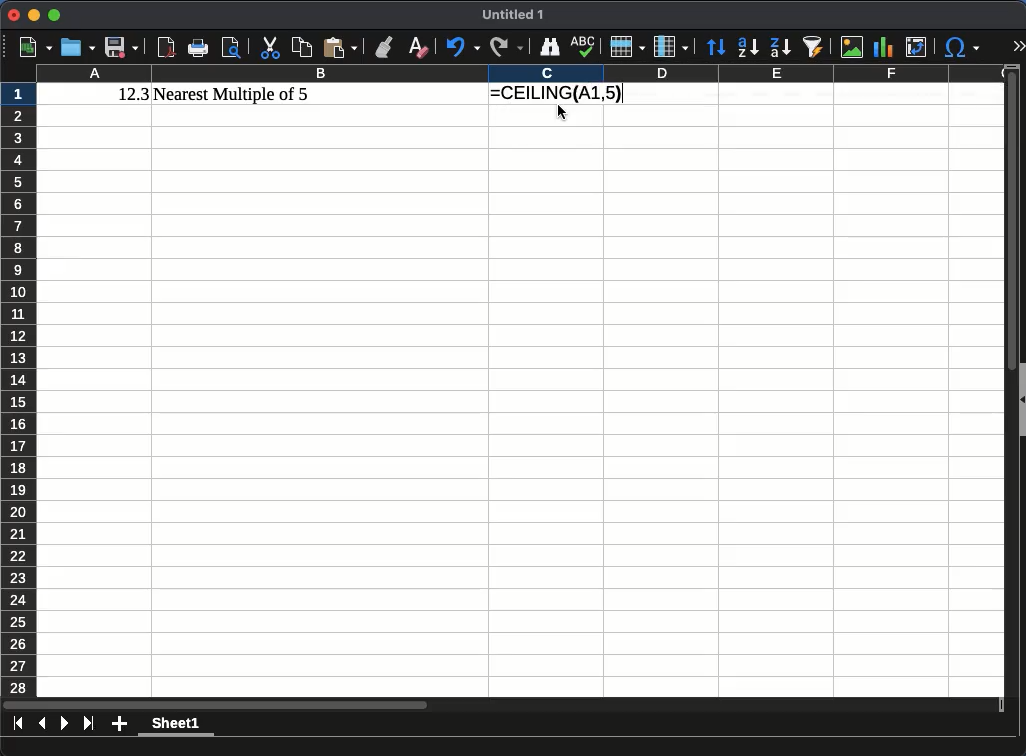 The image size is (1026, 756). What do you see at coordinates (20, 723) in the screenshot?
I see `first sheet` at bounding box center [20, 723].